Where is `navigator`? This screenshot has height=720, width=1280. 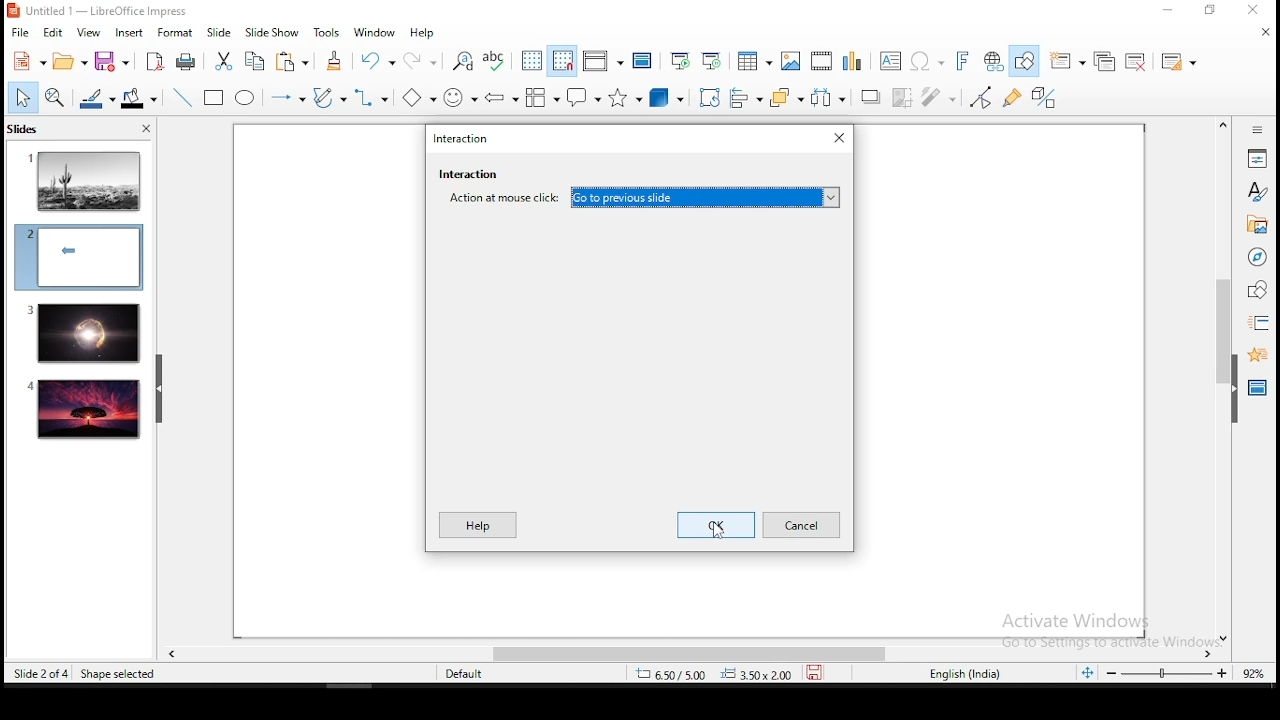 navigator is located at coordinates (1256, 259).